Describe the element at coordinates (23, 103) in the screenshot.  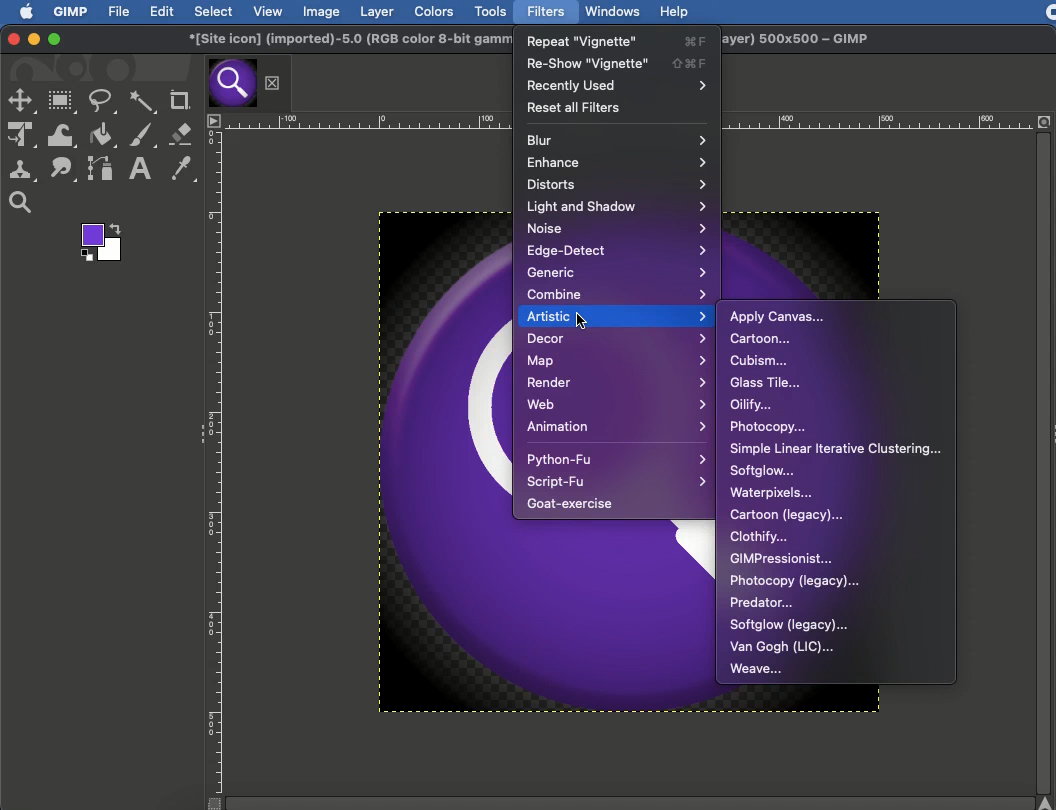
I see `selection` at that location.